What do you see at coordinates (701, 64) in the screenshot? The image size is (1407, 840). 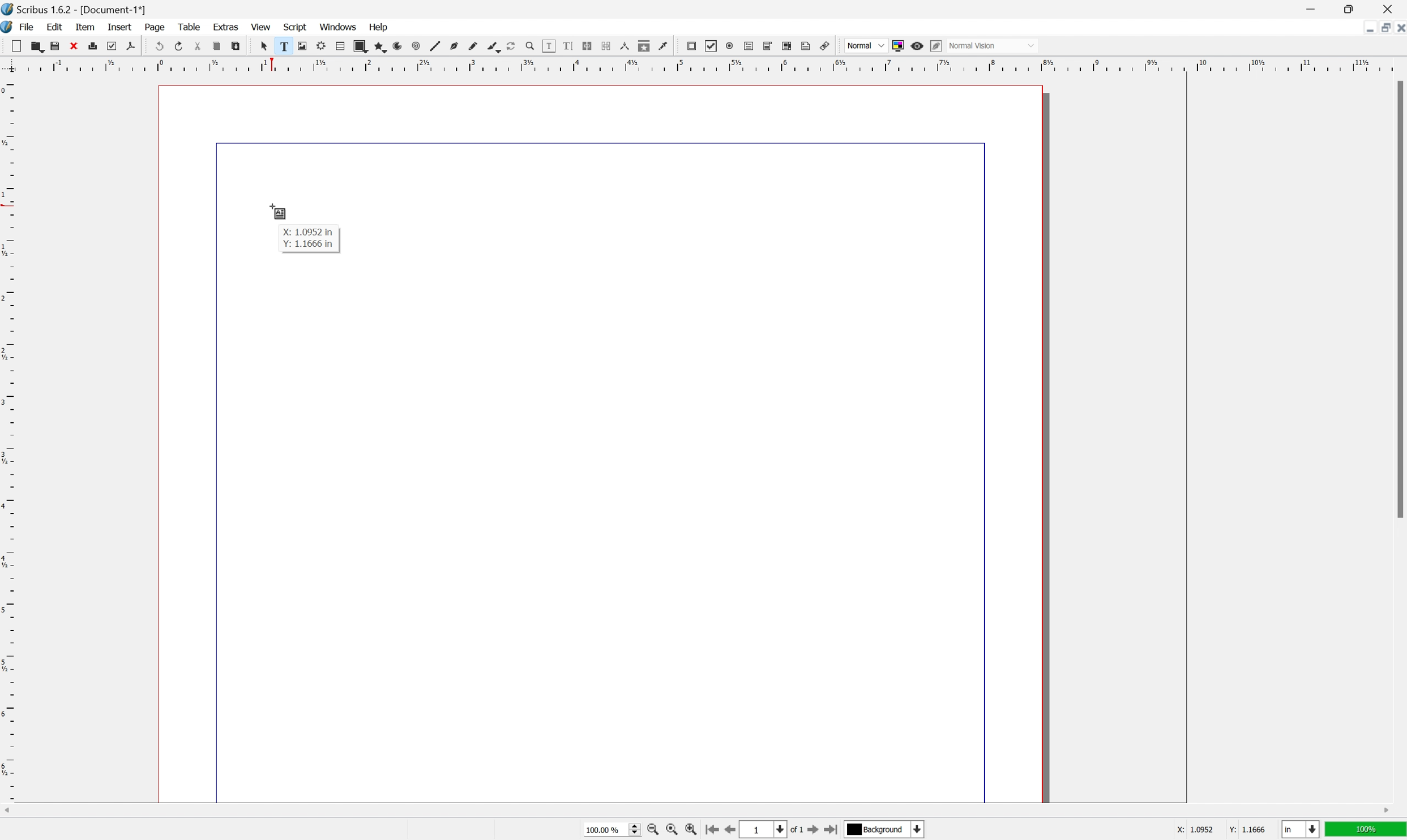 I see `ruler` at bounding box center [701, 64].